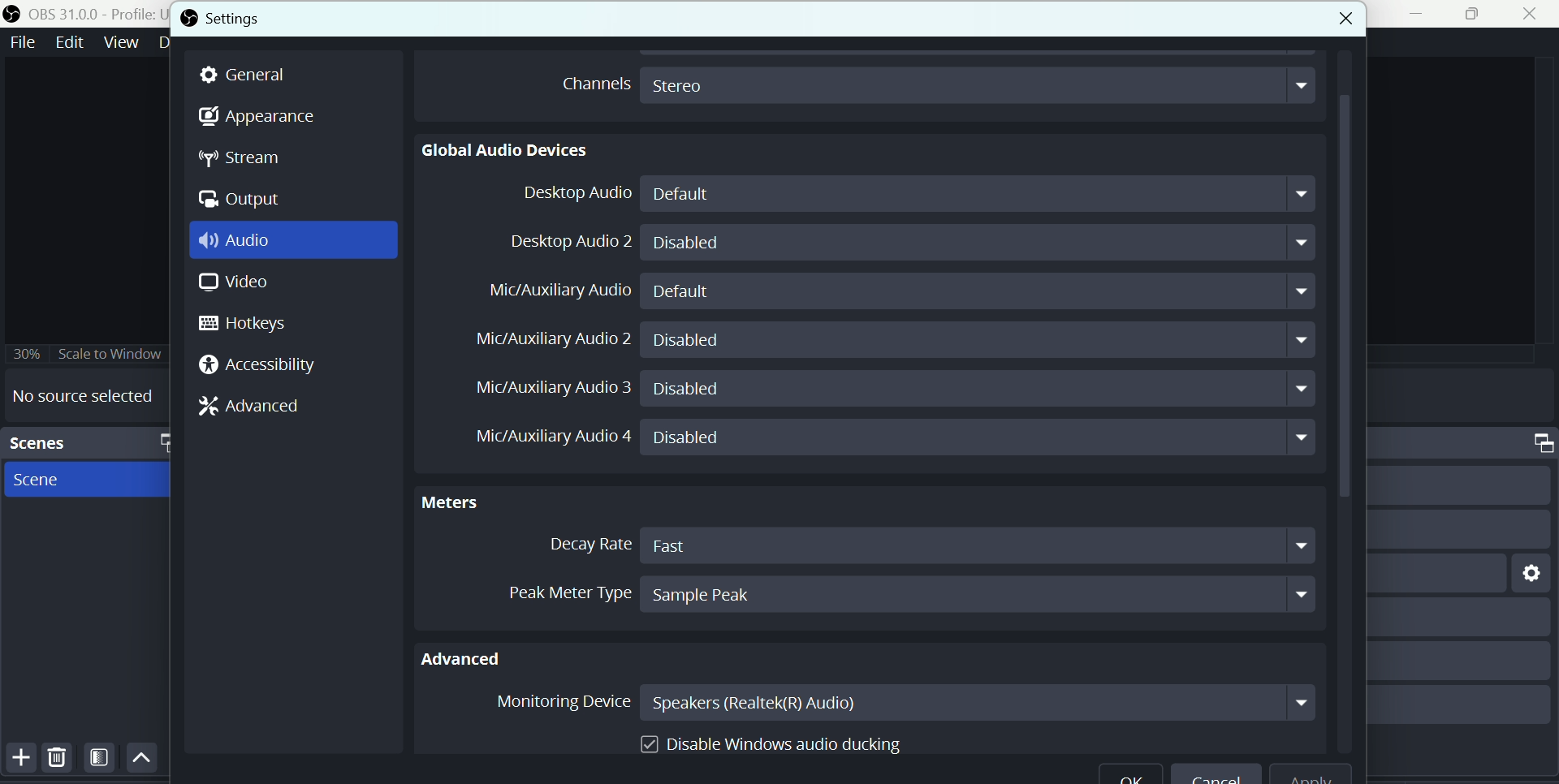  I want to click on Accessibility, so click(262, 366).